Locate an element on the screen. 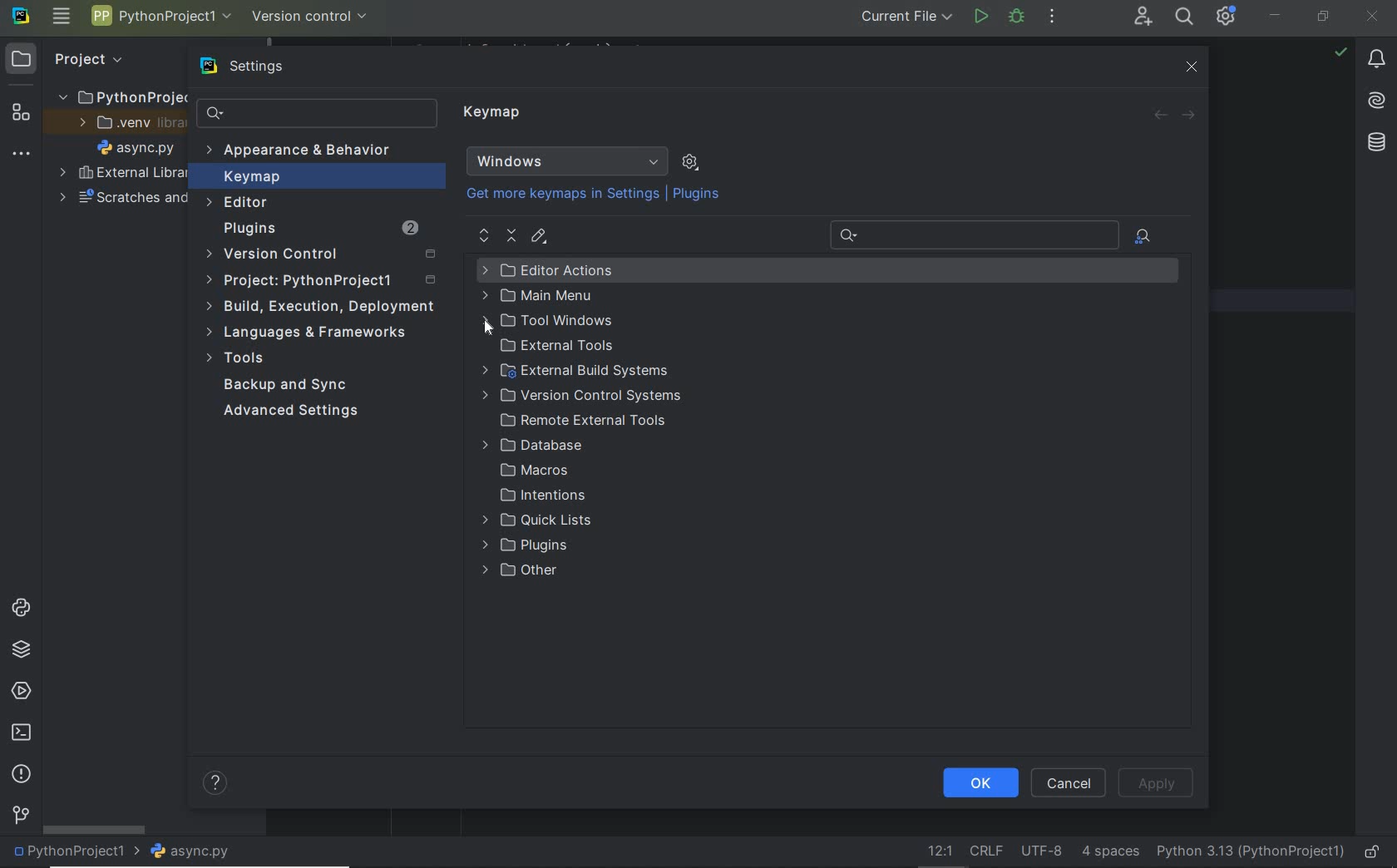 The width and height of the screenshot is (1397, 868). Version control is located at coordinates (323, 254).